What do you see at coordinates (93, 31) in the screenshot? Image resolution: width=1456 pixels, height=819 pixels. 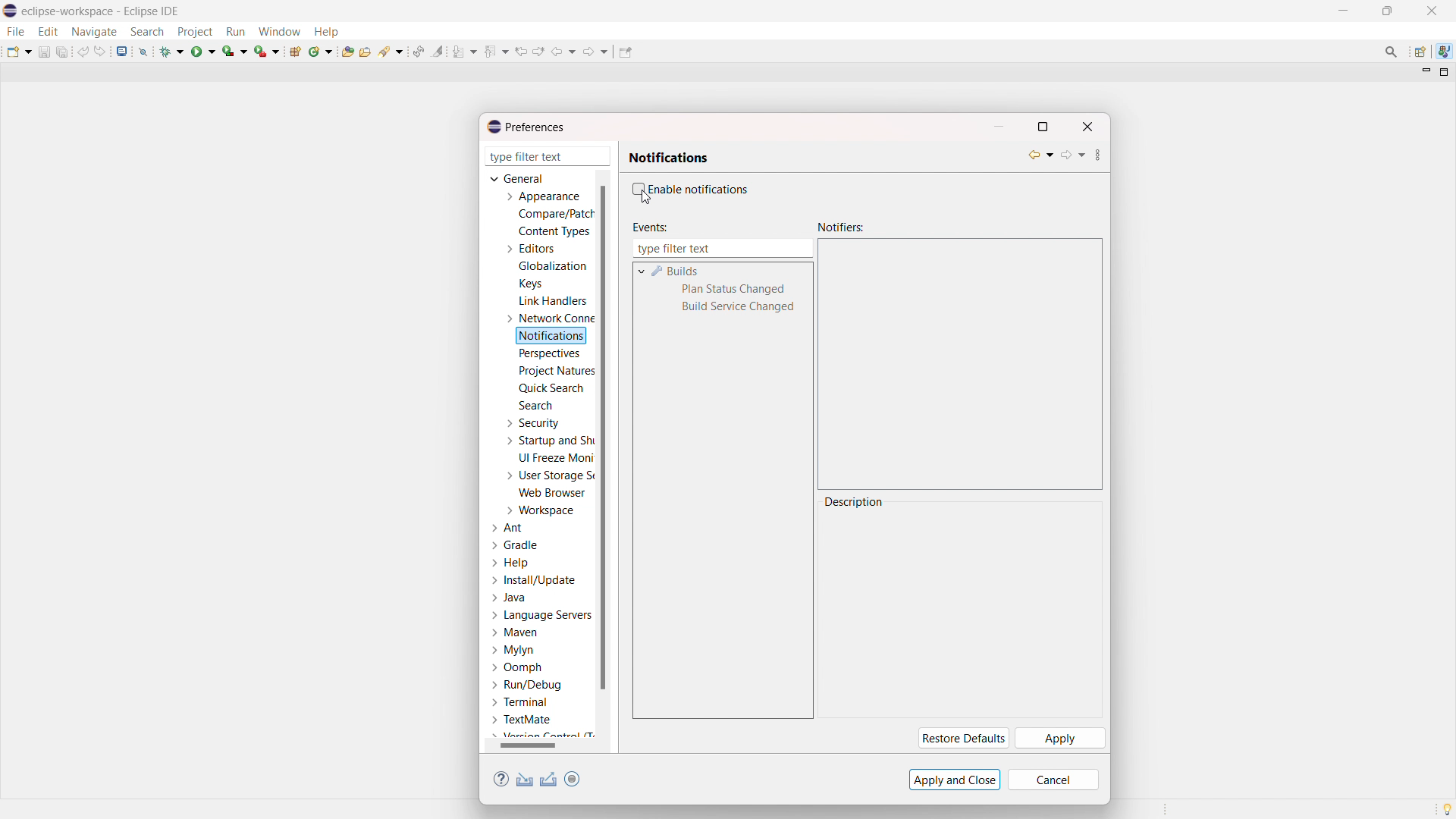 I see `navigate` at bounding box center [93, 31].